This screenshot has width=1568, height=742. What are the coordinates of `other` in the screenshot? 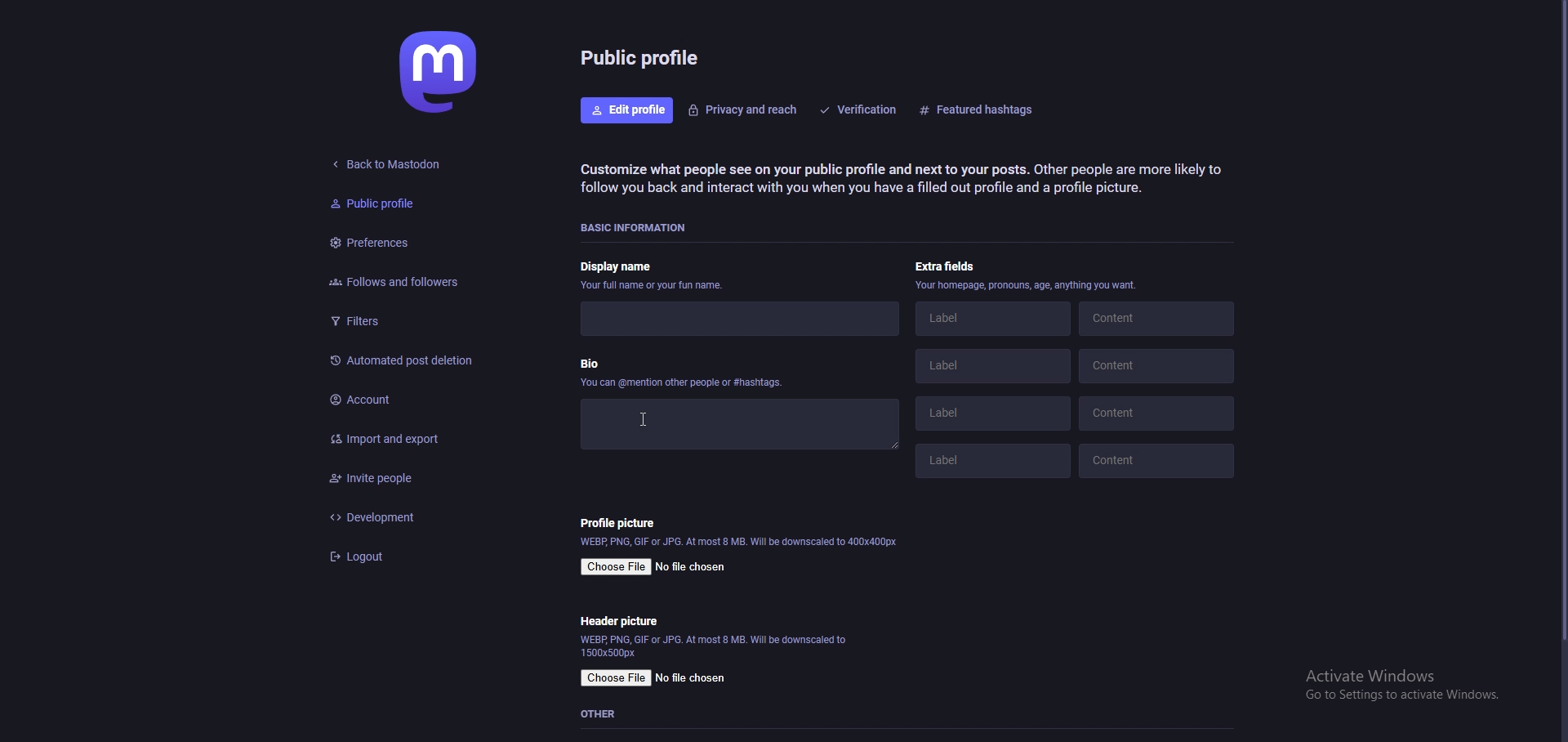 It's located at (602, 714).